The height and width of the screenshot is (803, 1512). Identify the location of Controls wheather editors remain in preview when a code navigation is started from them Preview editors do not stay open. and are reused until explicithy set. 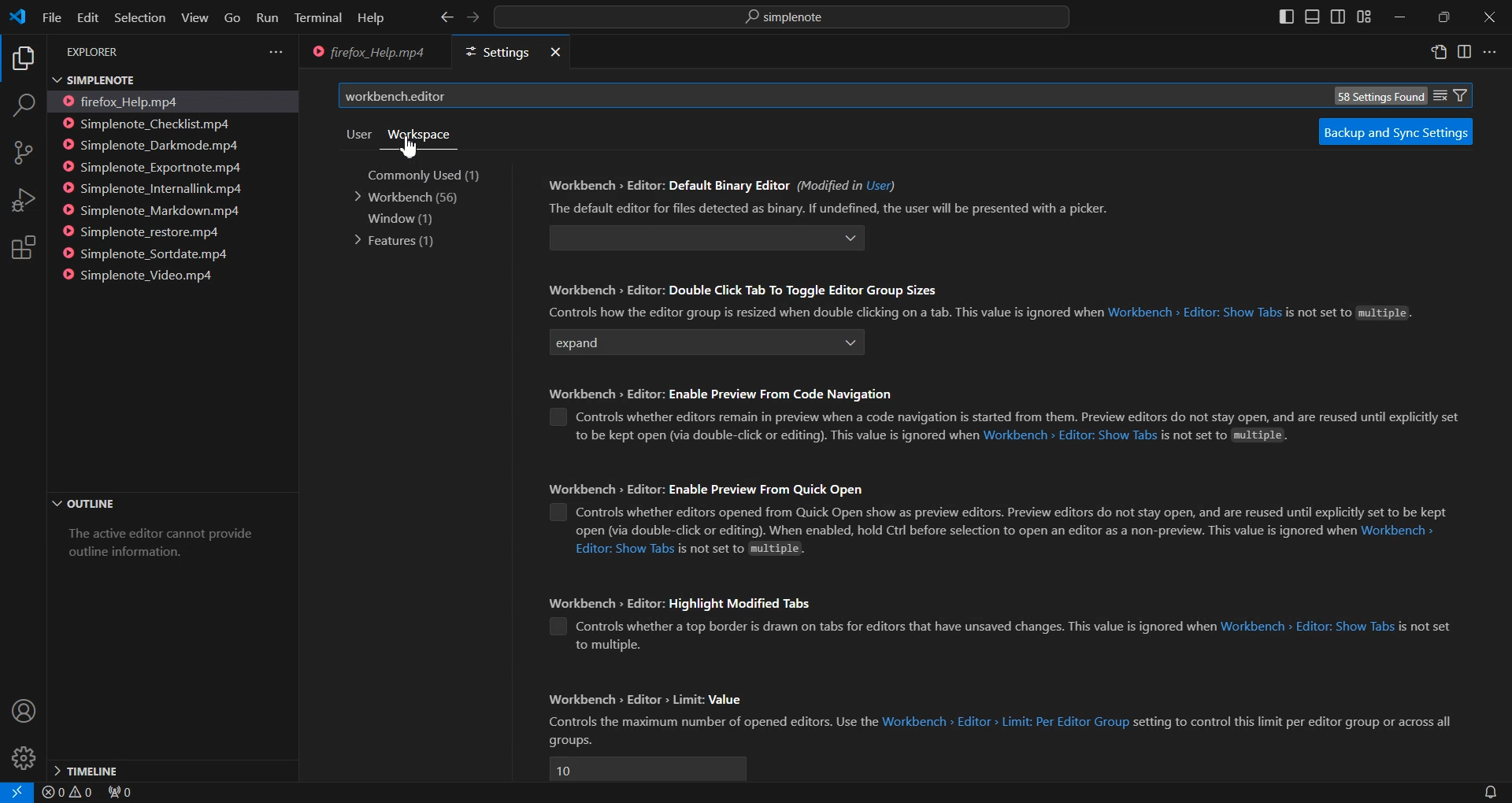
(1027, 416).